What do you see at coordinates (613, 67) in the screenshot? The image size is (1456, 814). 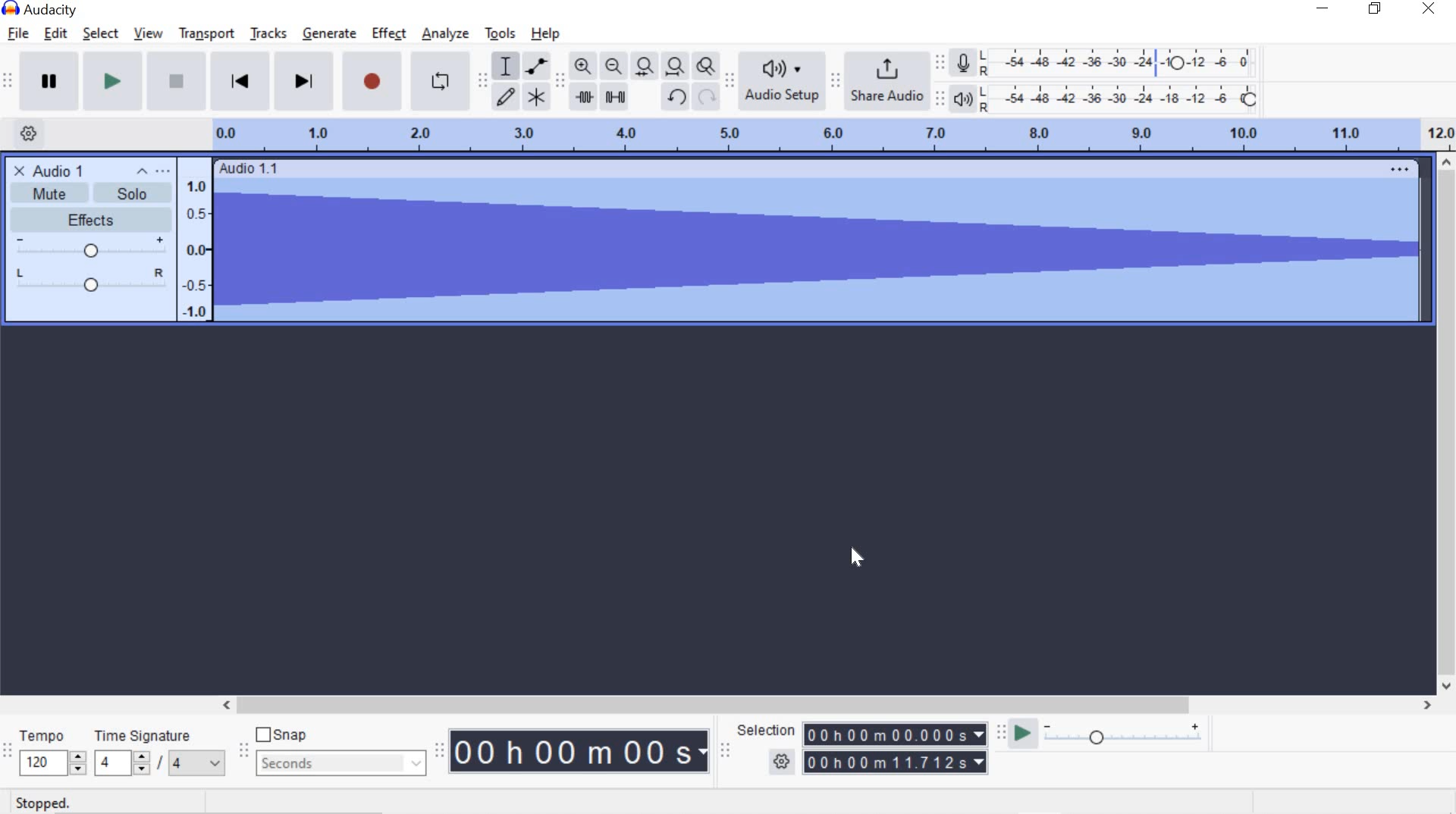 I see `Zoom Out` at bounding box center [613, 67].